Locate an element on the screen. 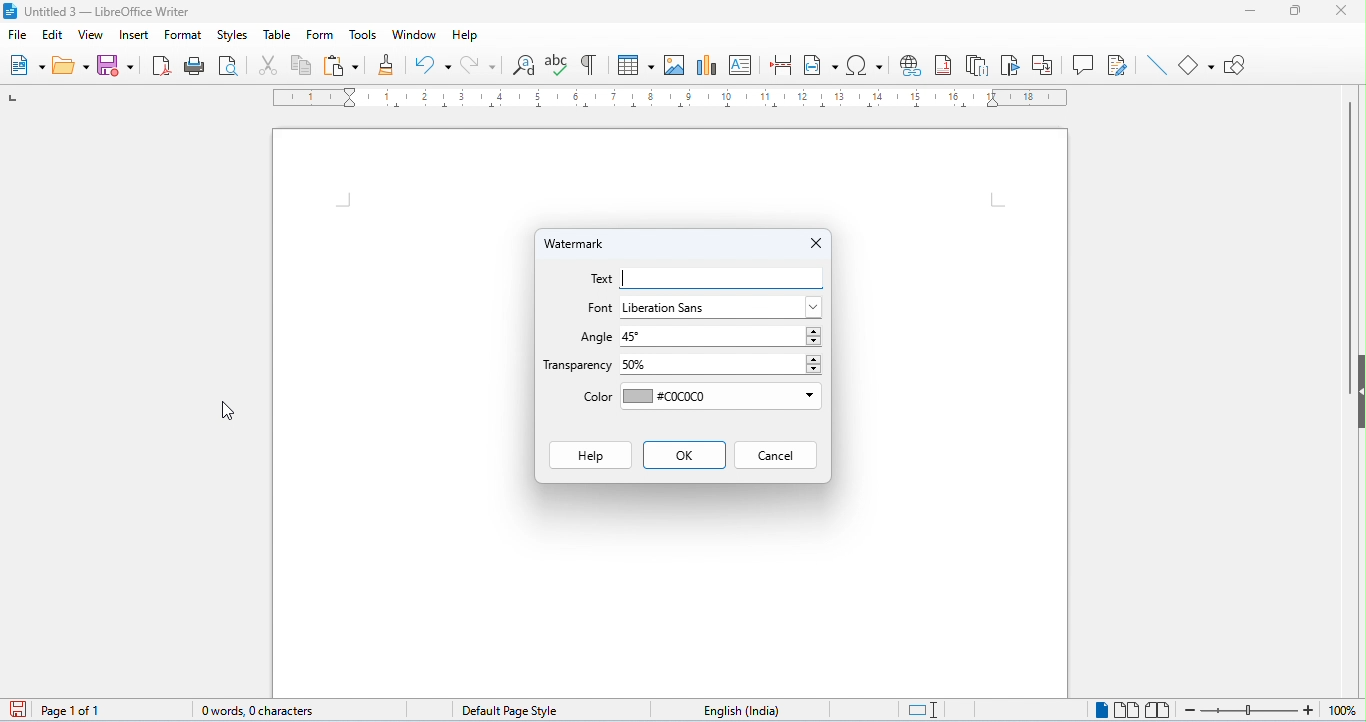 The height and width of the screenshot is (722, 1366). save is located at coordinates (116, 65).